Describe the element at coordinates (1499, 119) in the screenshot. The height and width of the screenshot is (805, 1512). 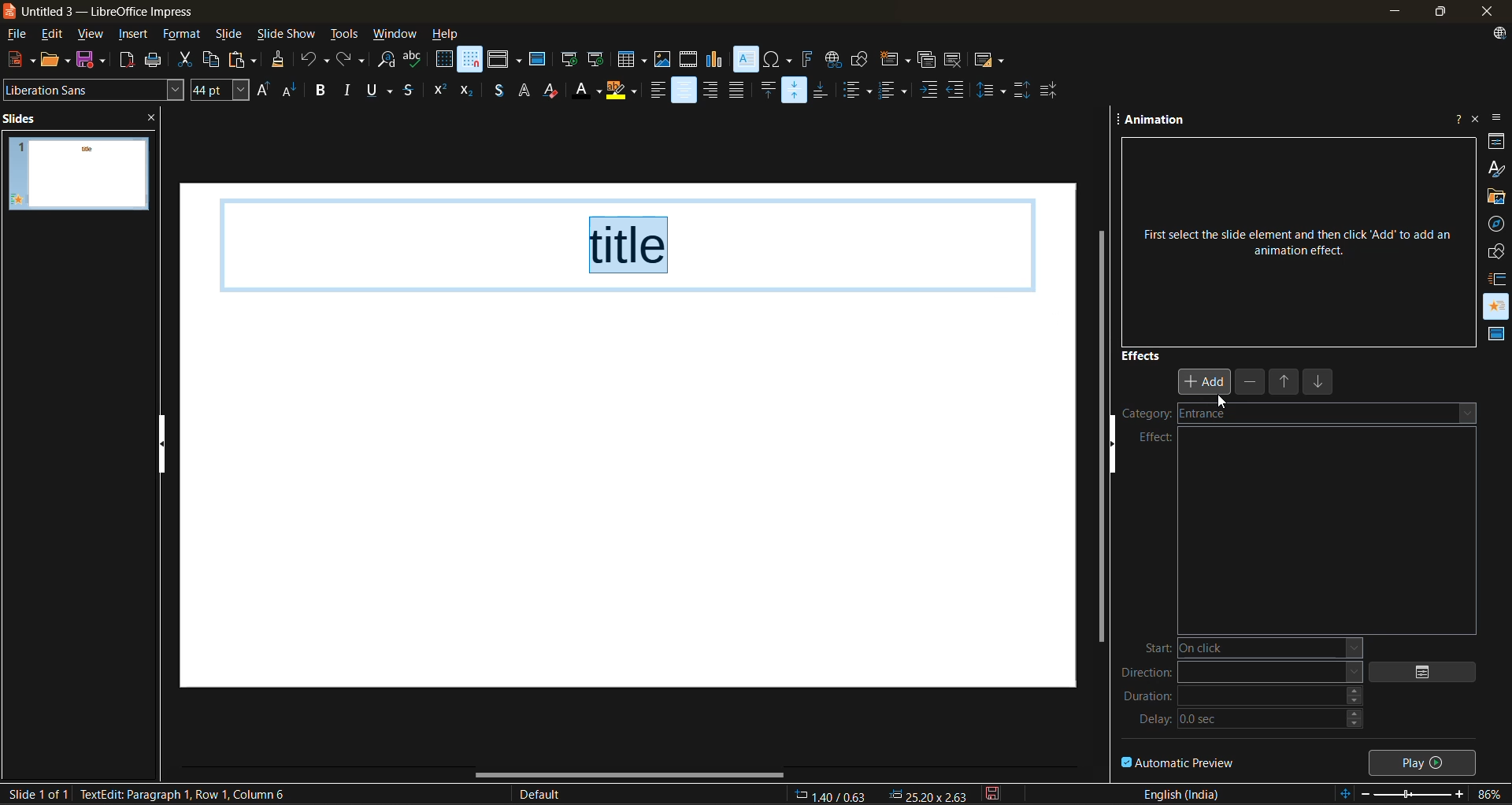
I see `sidebar settings` at that location.